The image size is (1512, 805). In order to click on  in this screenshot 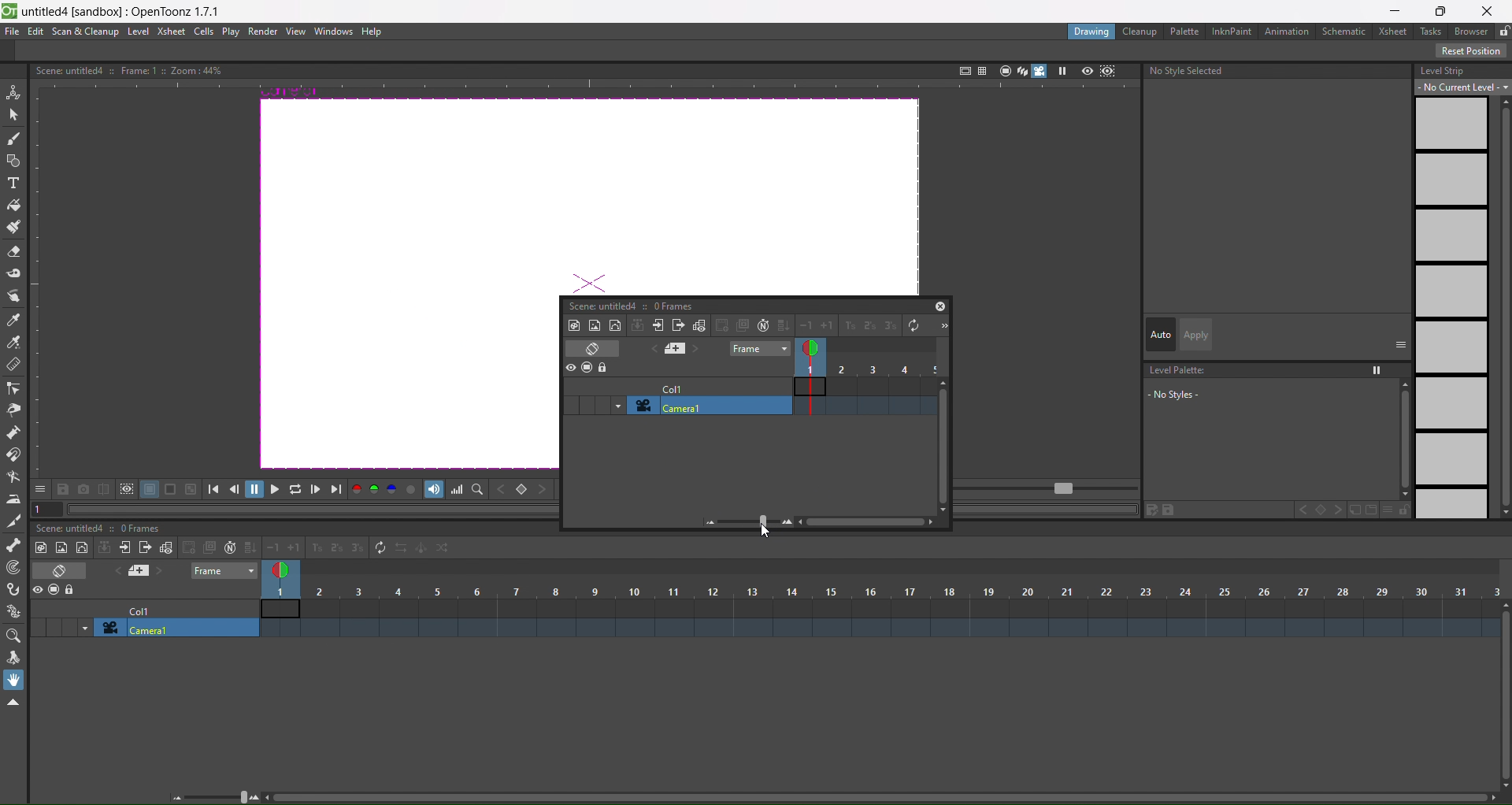, I will do `click(782, 327)`.